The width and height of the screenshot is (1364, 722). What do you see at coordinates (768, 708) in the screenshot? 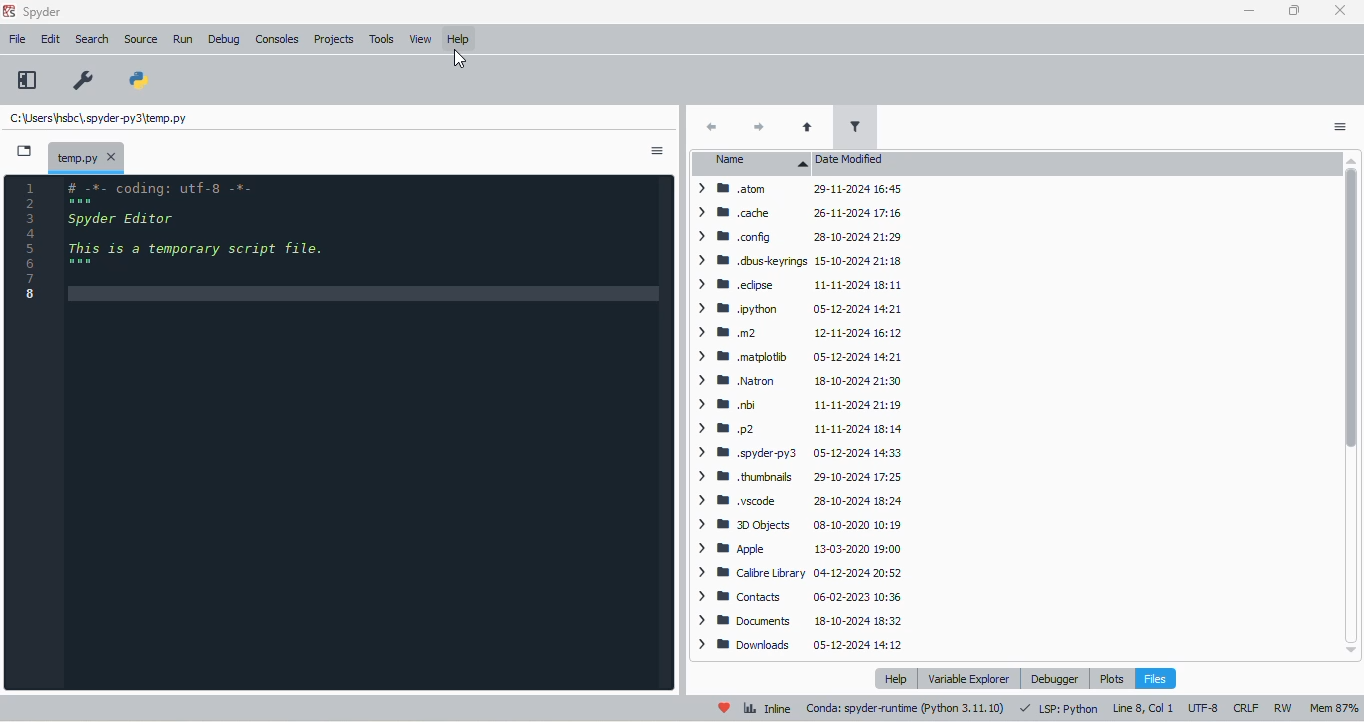
I see `inline` at bounding box center [768, 708].